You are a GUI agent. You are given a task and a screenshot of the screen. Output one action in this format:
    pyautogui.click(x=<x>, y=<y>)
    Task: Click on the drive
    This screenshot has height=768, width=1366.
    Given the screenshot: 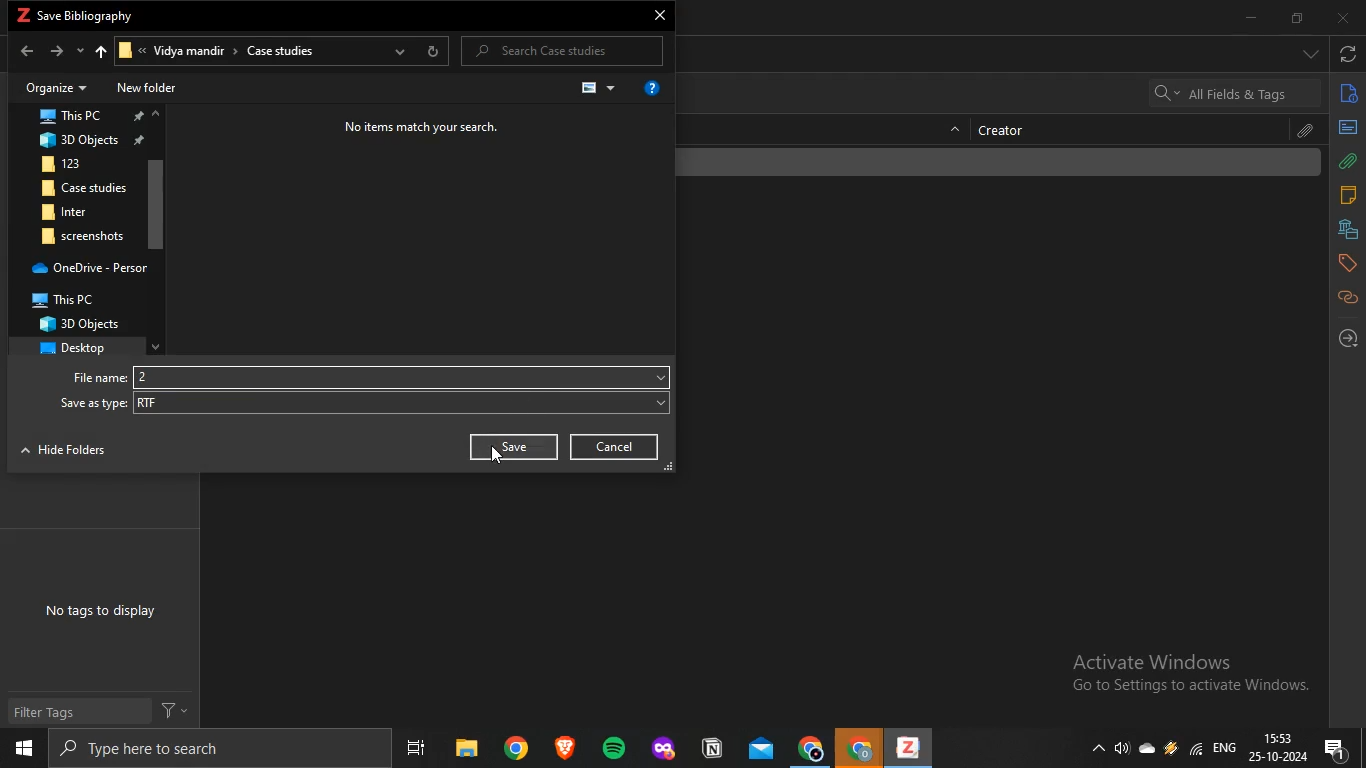 What is the action you would take?
    pyautogui.click(x=1171, y=747)
    